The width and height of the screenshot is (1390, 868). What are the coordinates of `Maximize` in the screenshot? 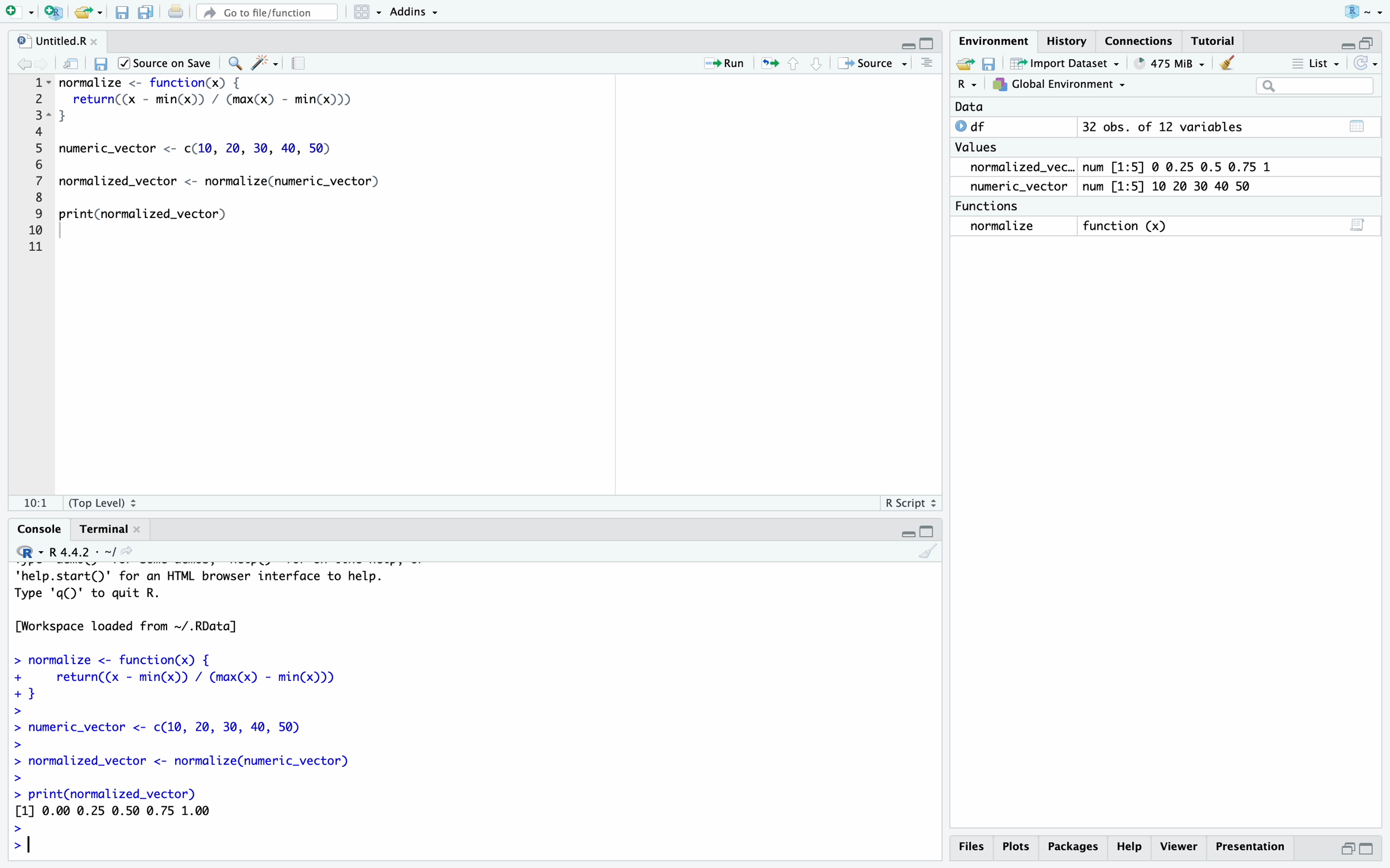 It's located at (1369, 848).